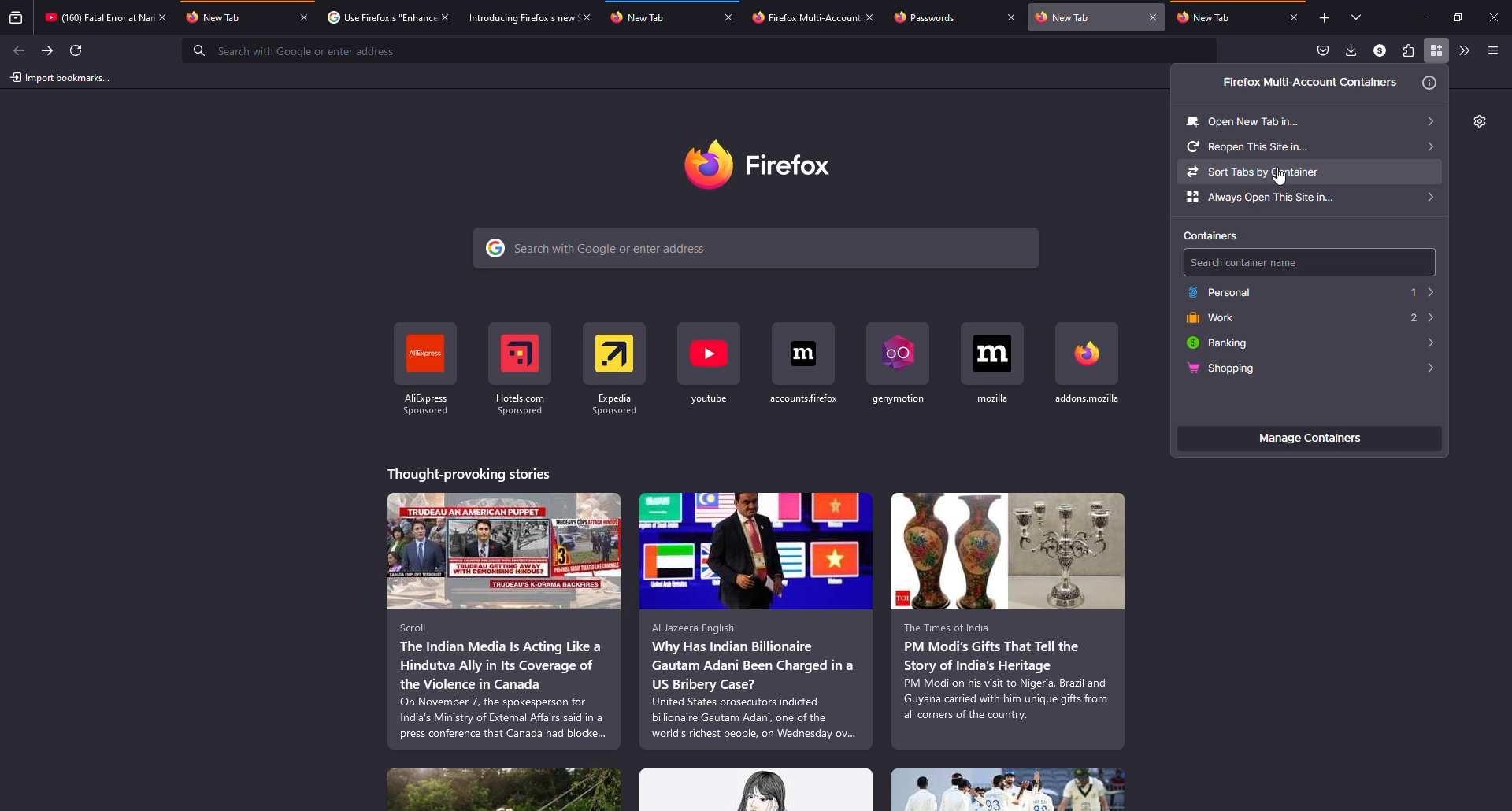 The image size is (1512, 811). I want to click on tab, so click(377, 17).